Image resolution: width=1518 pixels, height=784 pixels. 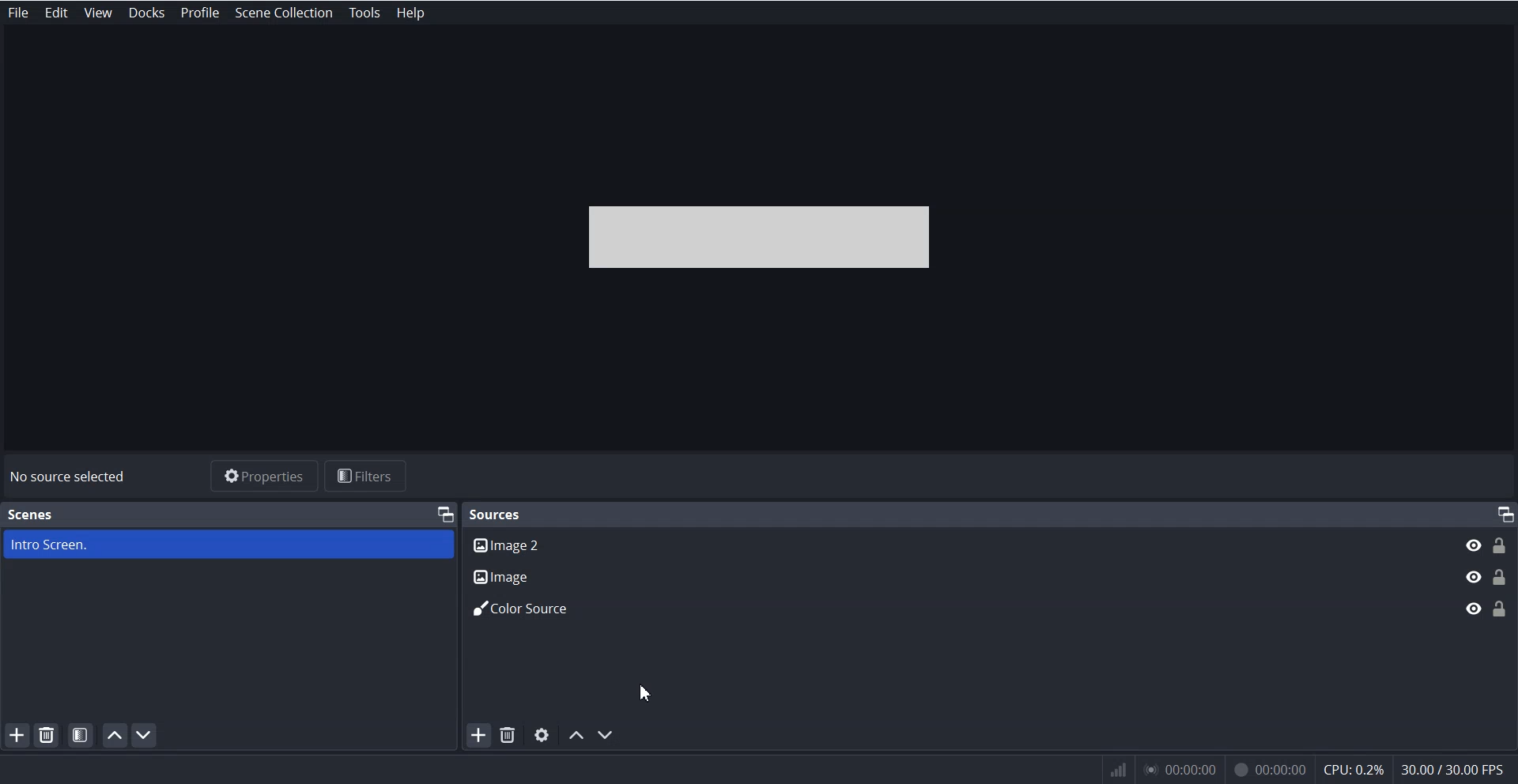 What do you see at coordinates (1504, 514) in the screenshot?
I see `Maximize` at bounding box center [1504, 514].